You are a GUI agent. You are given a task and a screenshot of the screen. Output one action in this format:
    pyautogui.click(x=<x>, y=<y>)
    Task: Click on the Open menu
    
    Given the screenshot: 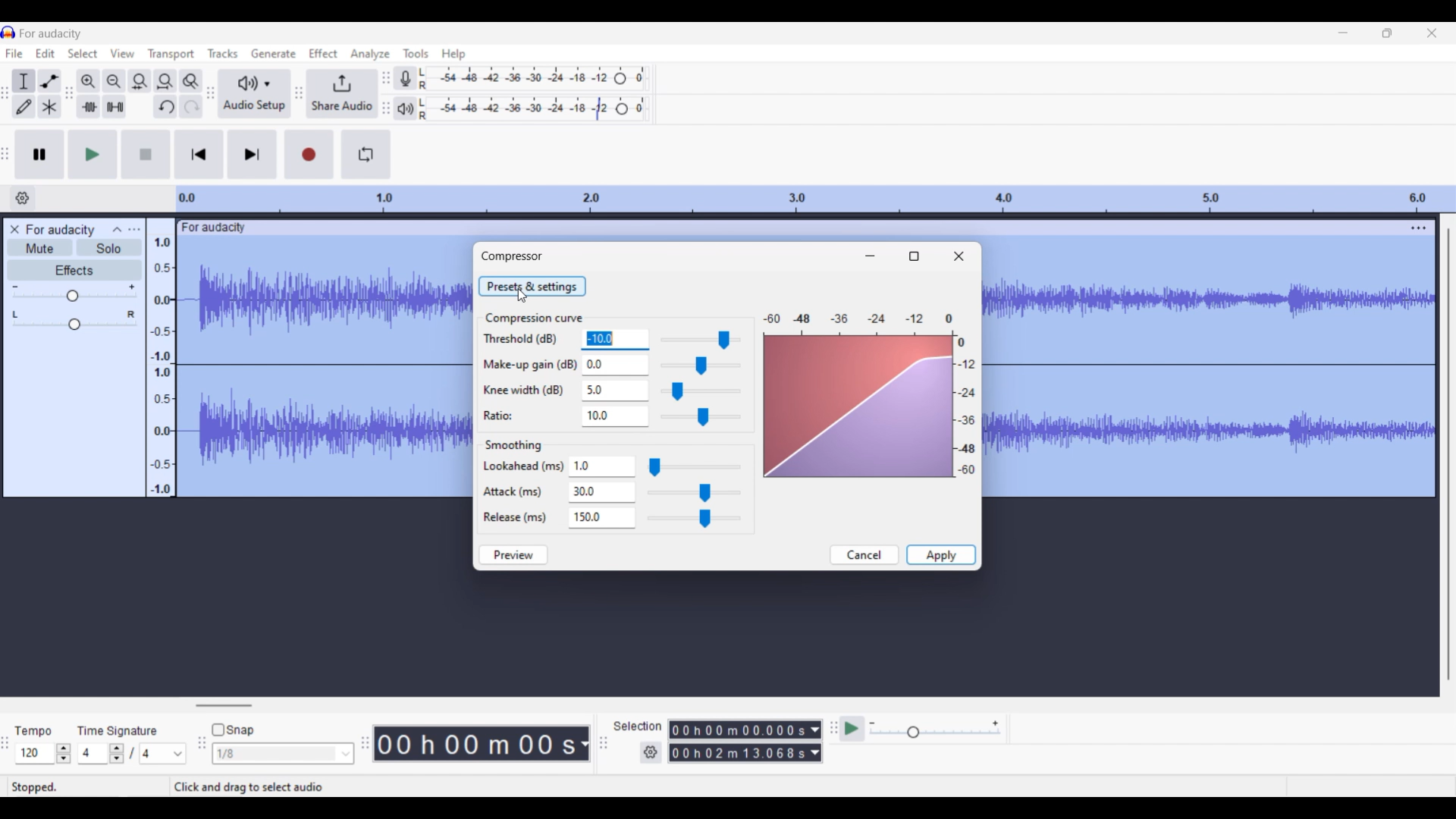 What is the action you would take?
    pyautogui.click(x=134, y=230)
    